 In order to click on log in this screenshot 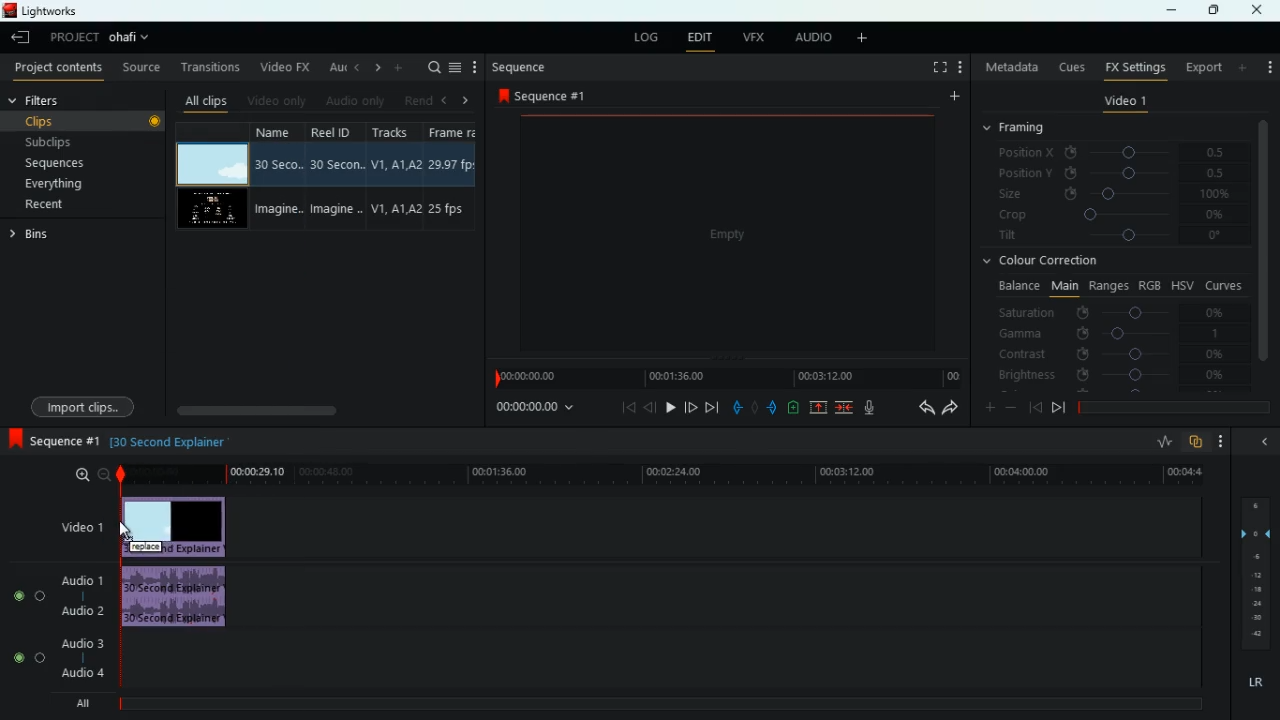, I will do `click(643, 35)`.